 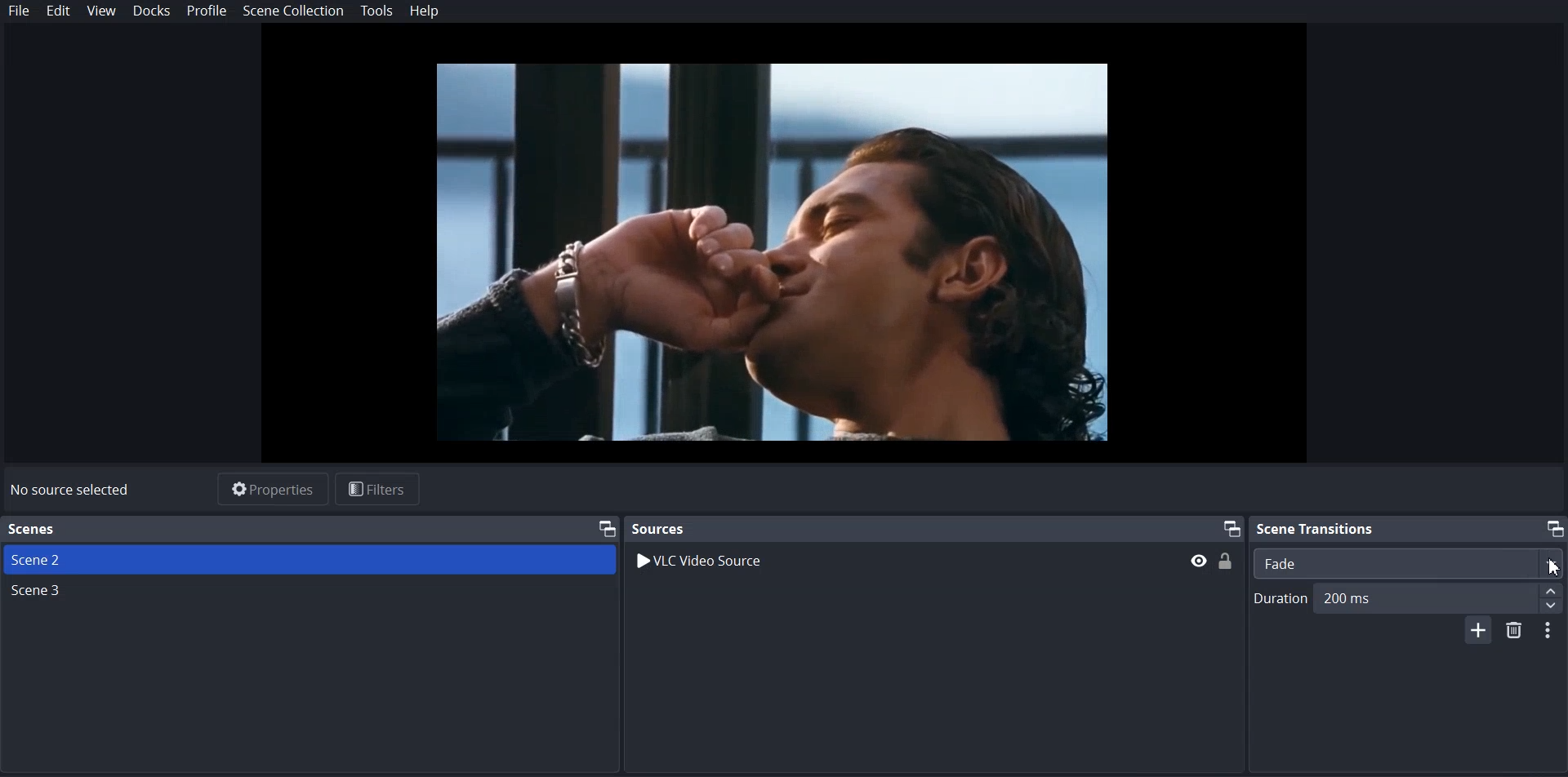 What do you see at coordinates (1407, 598) in the screenshot?
I see `Duration` at bounding box center [1407, 598].